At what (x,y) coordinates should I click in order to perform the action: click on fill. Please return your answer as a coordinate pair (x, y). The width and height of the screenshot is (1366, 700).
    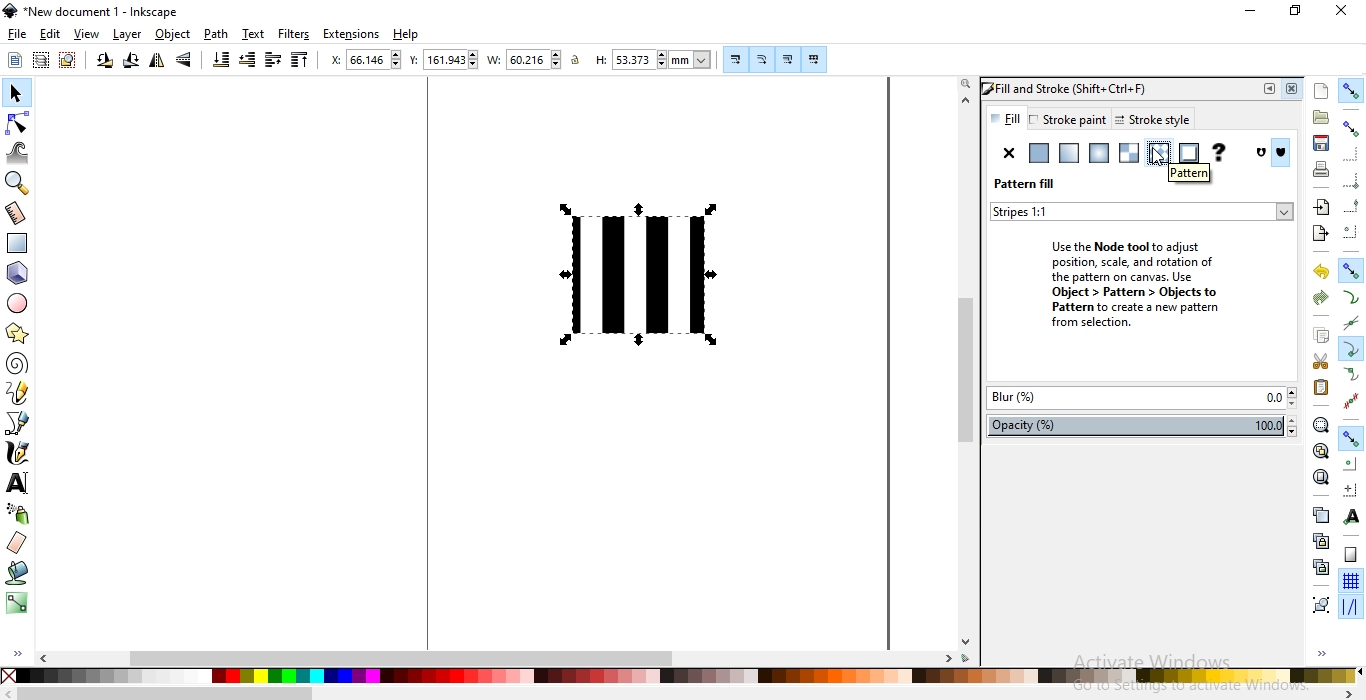
    Looking at the image, I should click on (1005, 118).